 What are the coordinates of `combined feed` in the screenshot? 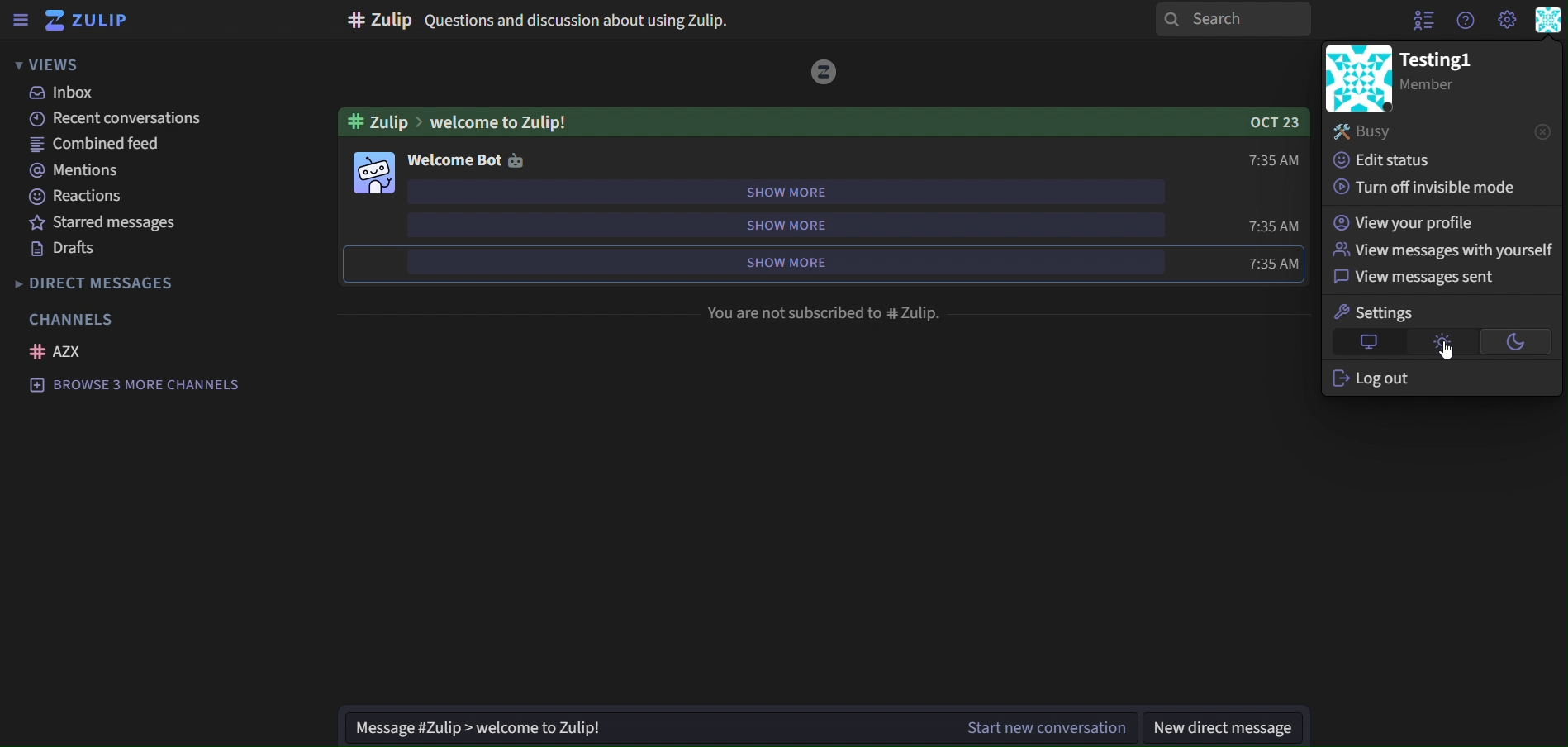 It's located at (107, 145).